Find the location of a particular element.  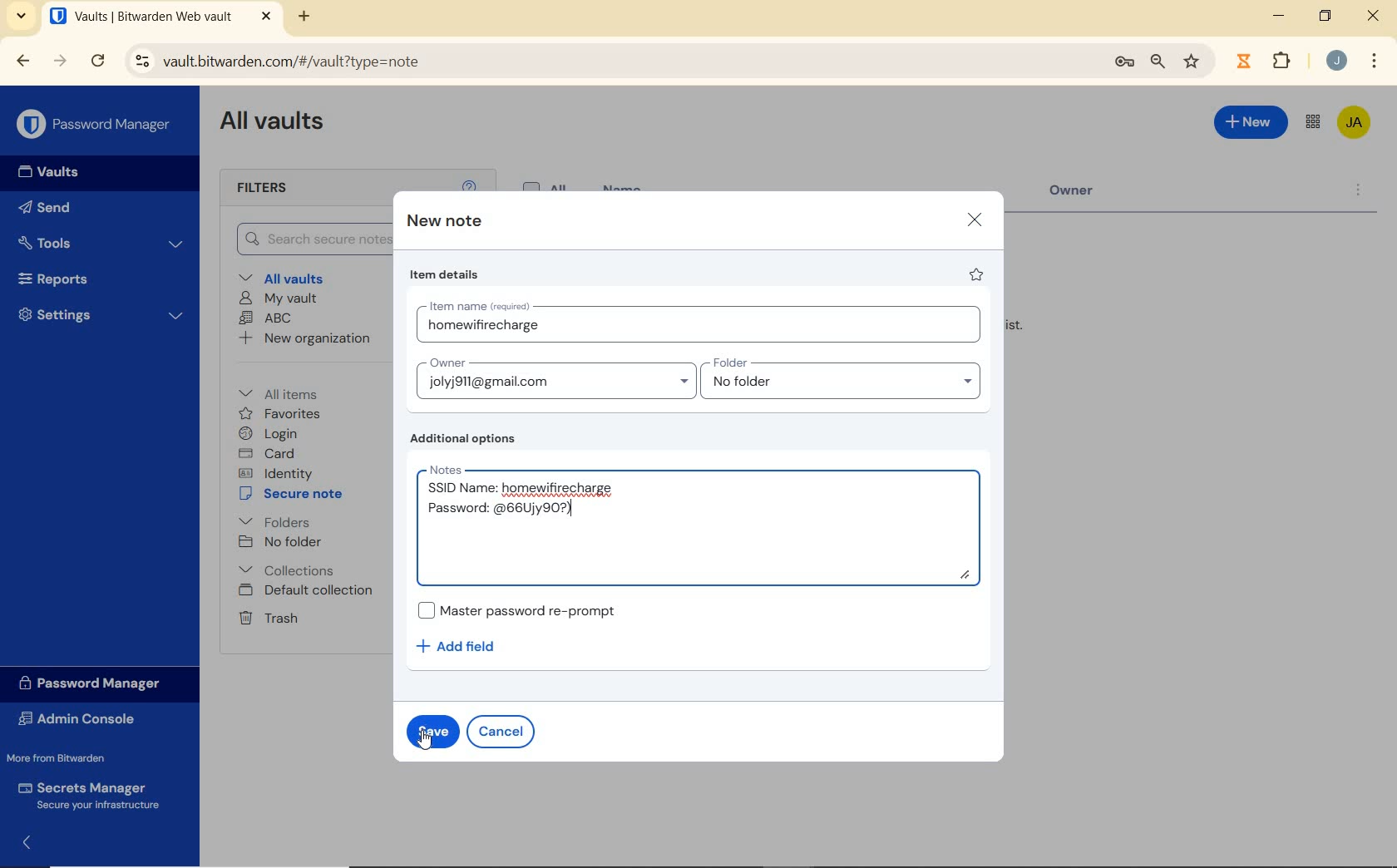

favorites is located at coordinates (280, 414).